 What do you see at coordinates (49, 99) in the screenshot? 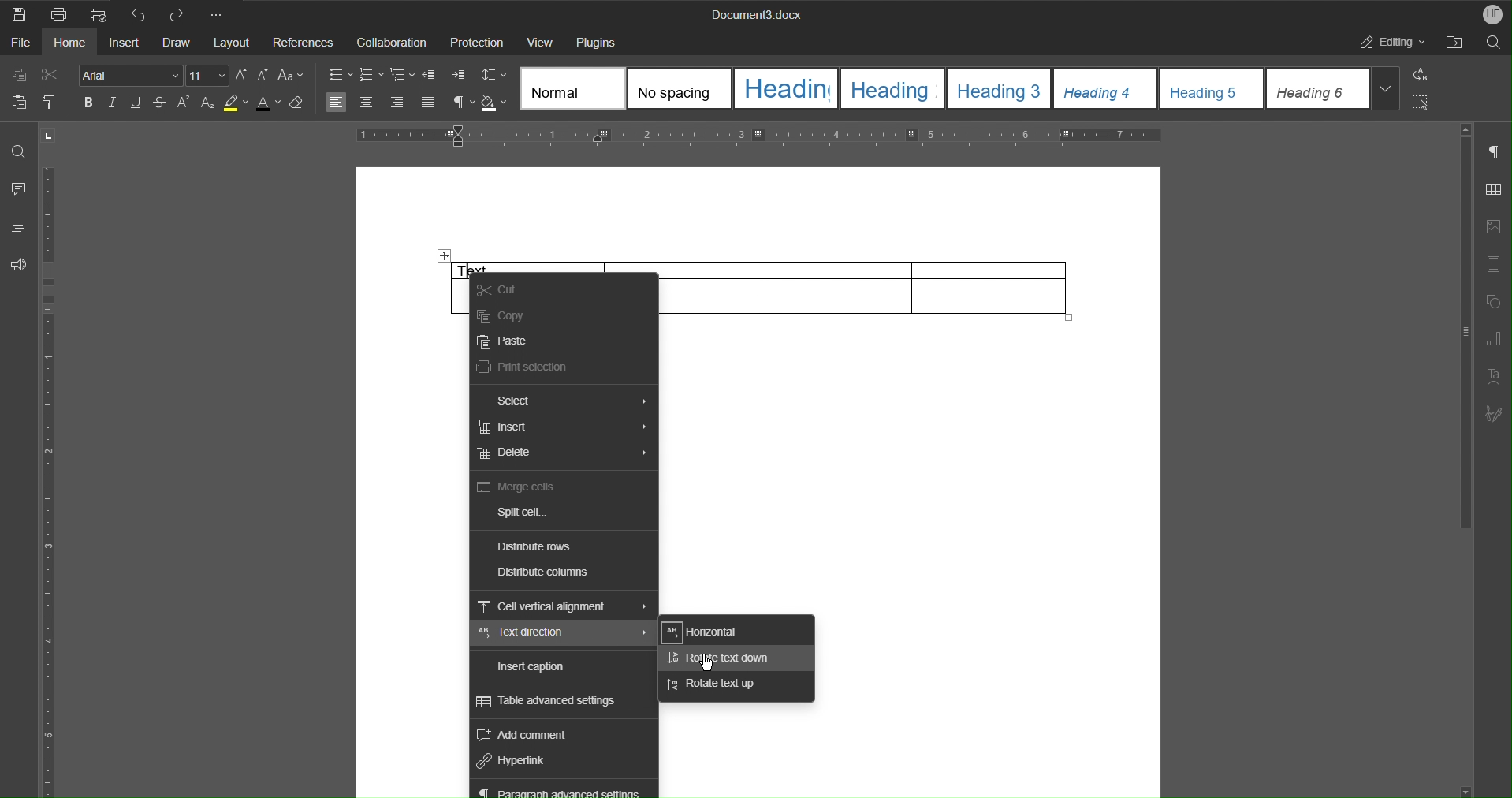
I see `Copy Style` at bounding box center [49, 99].